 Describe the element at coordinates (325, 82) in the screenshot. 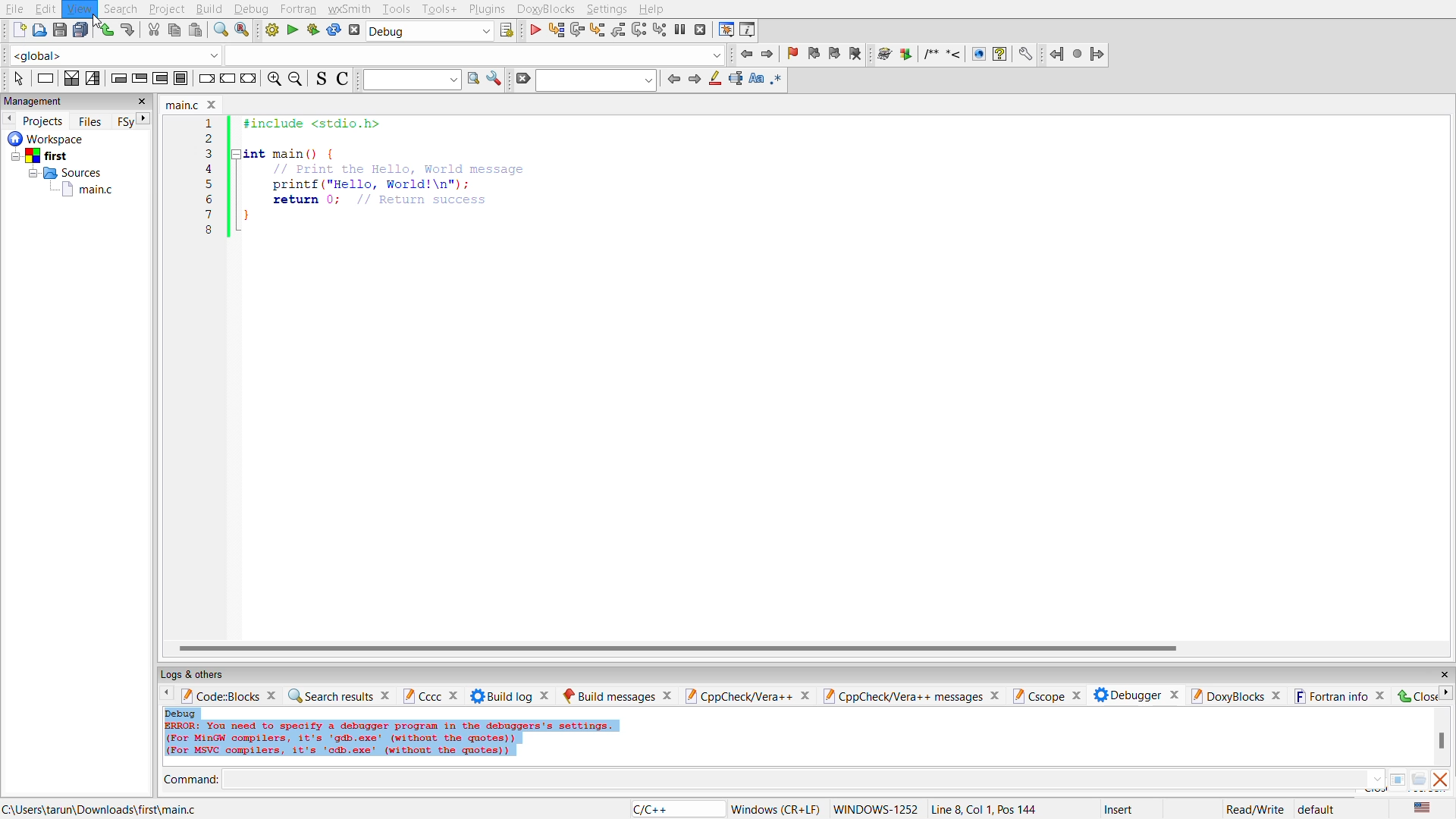

I see `toggle source` at that location.